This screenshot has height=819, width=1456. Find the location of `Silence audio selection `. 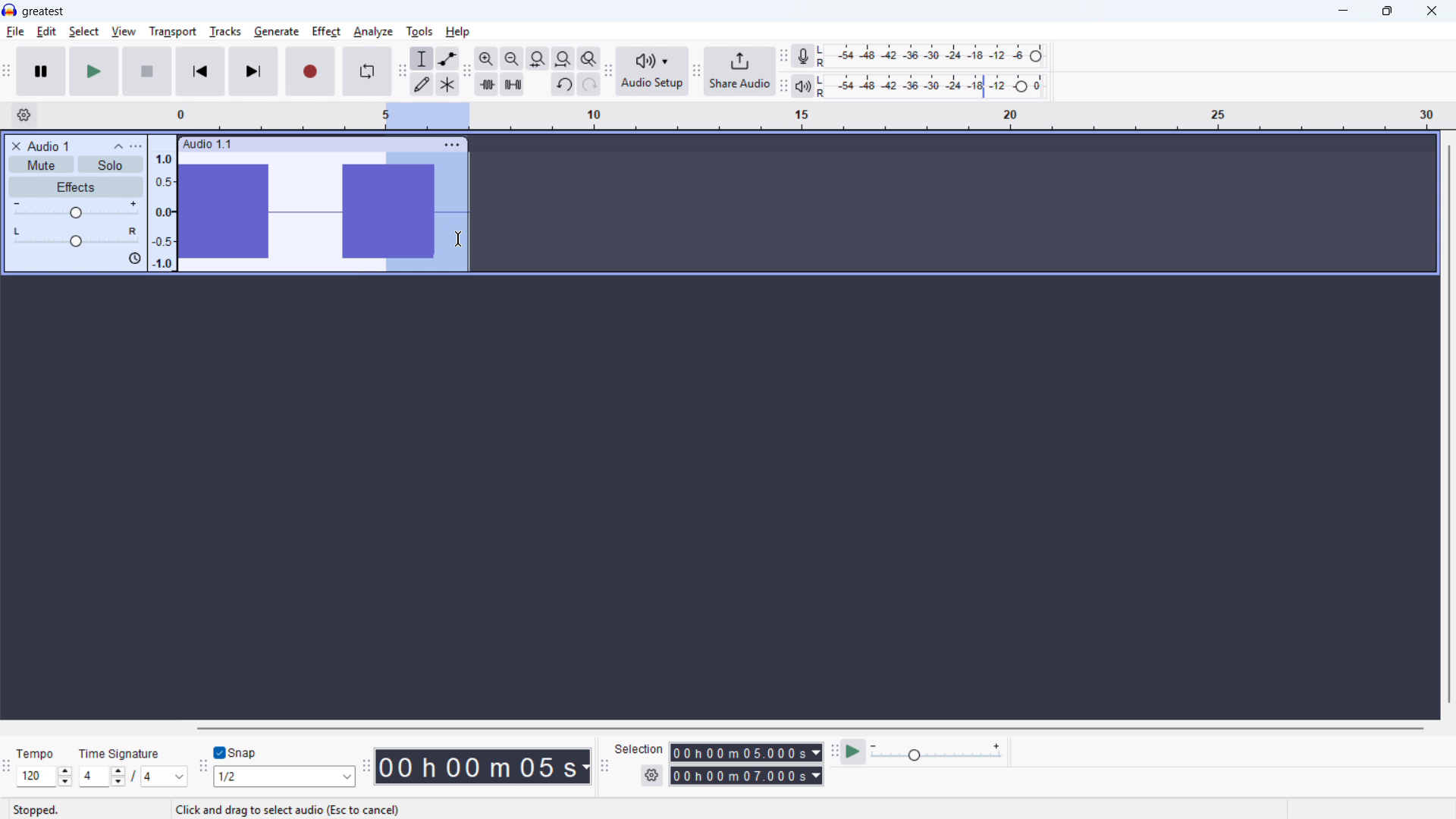

Silence audio selection  is located at coordinates (512, 84).